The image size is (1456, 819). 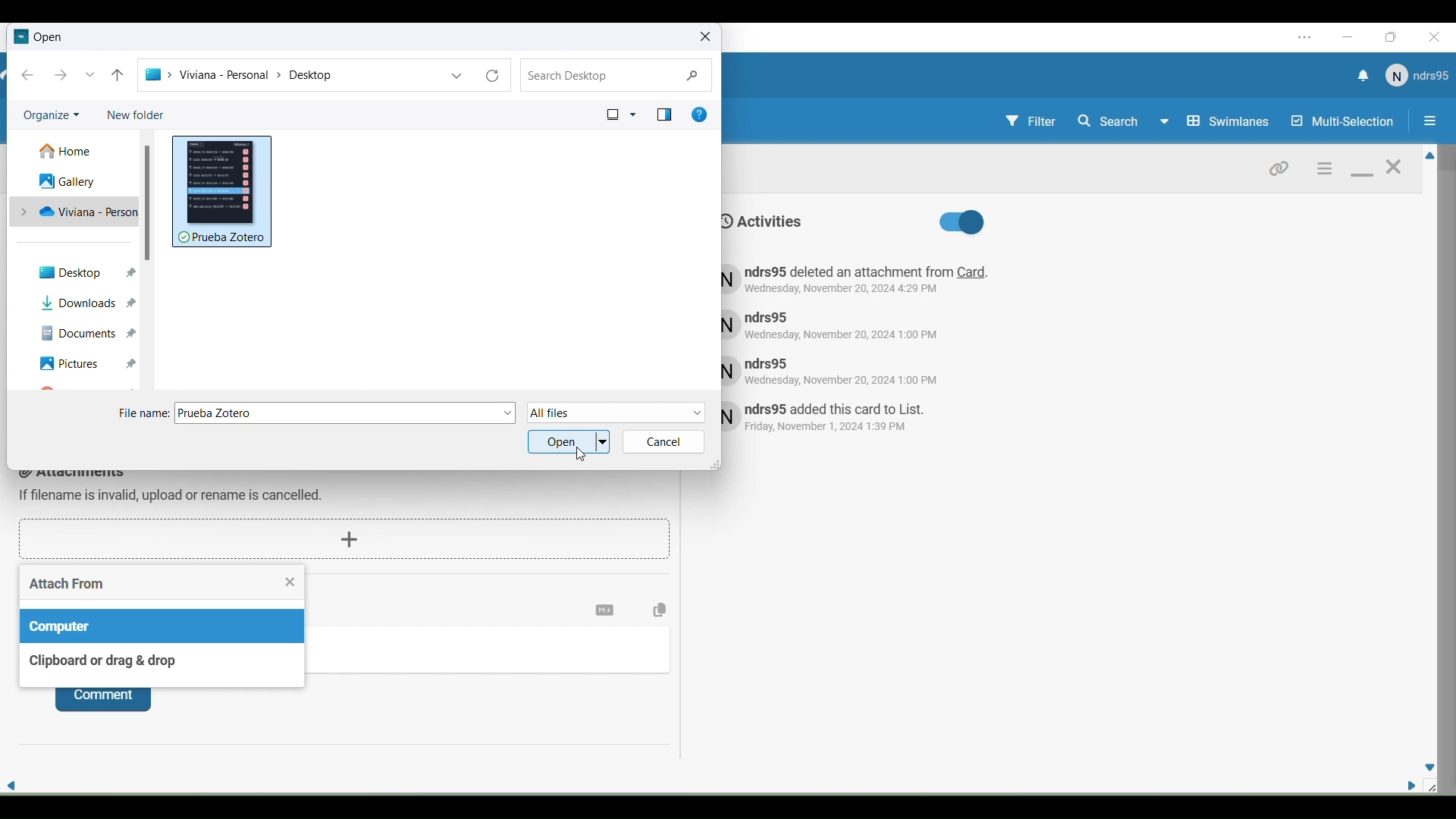 I want to click on Search, so click(x=1122, y=121).